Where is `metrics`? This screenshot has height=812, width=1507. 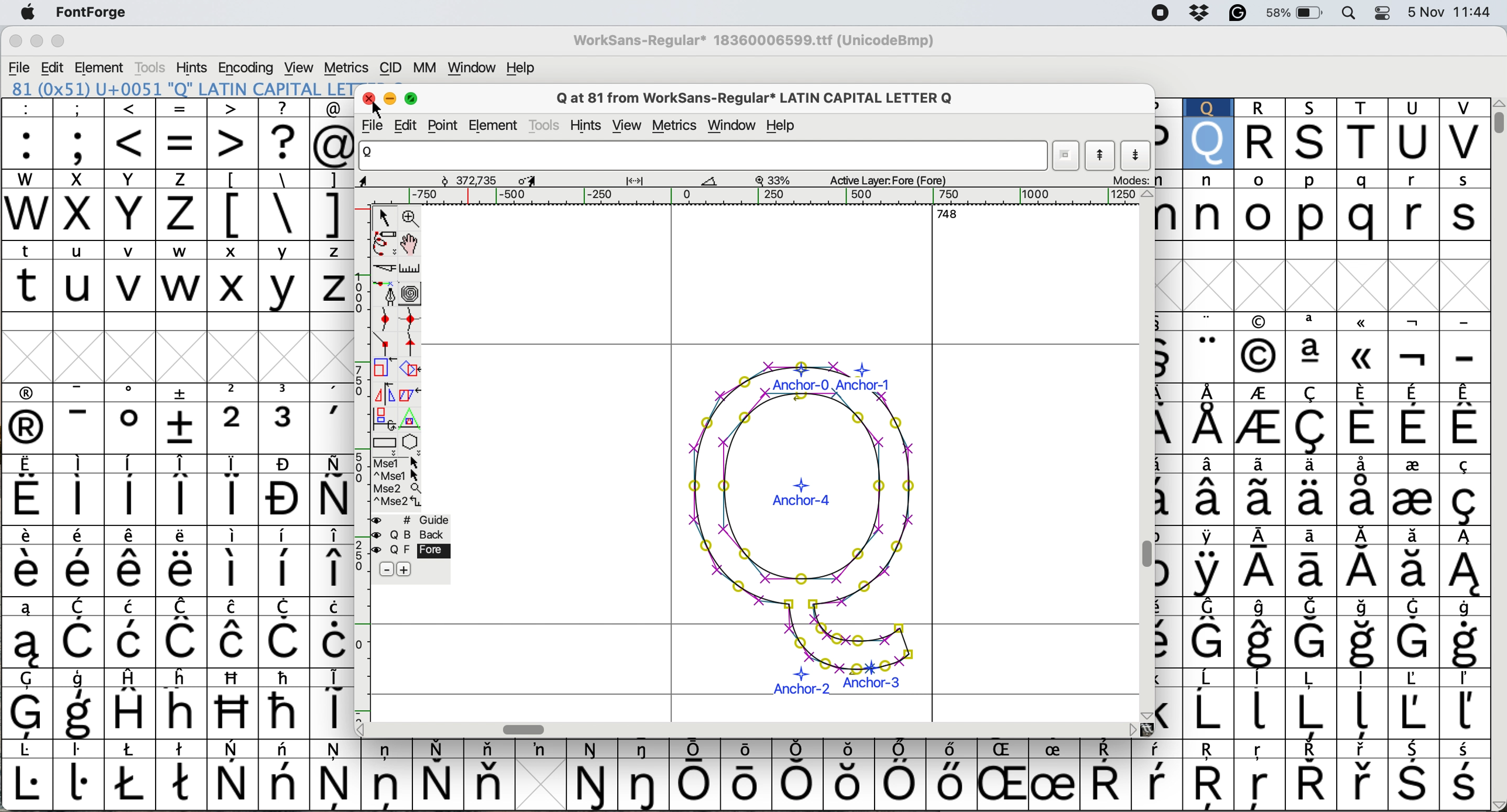
metrics is located at coordinates (677, 127).